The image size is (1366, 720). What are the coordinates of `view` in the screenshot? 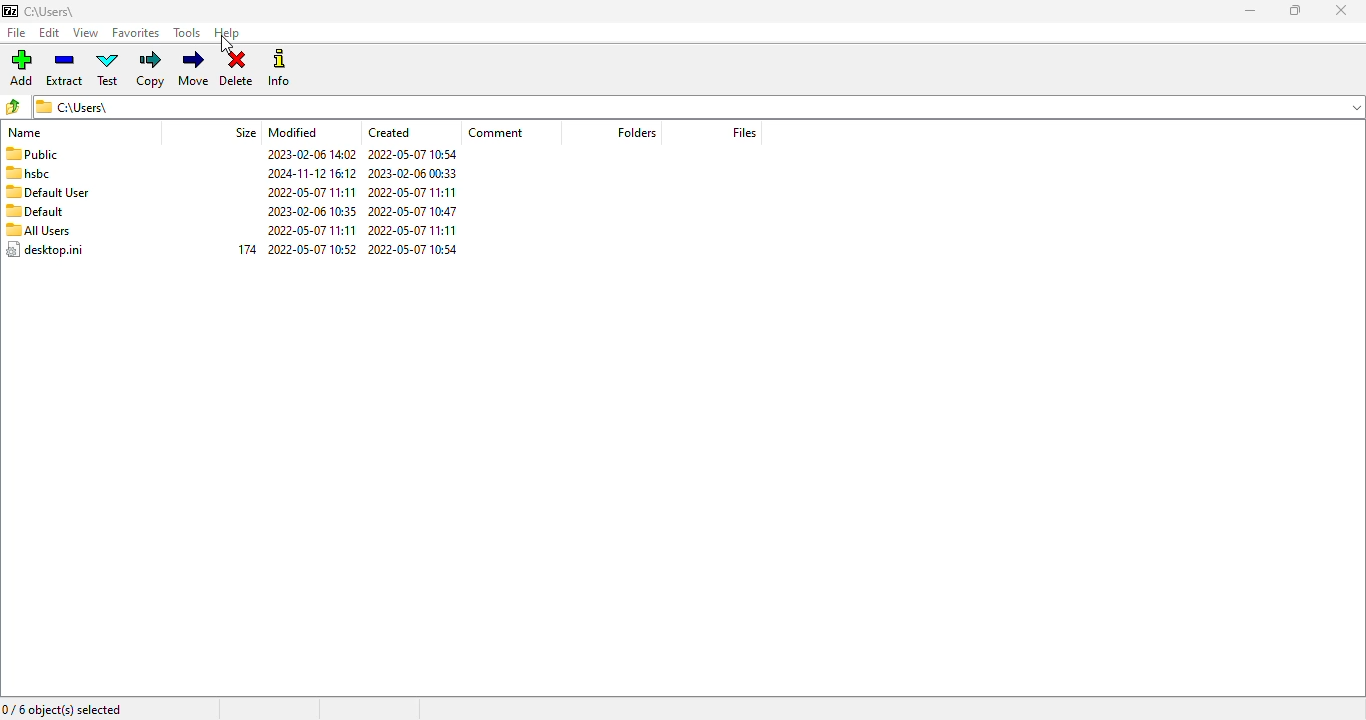 It's located at (87, 33).